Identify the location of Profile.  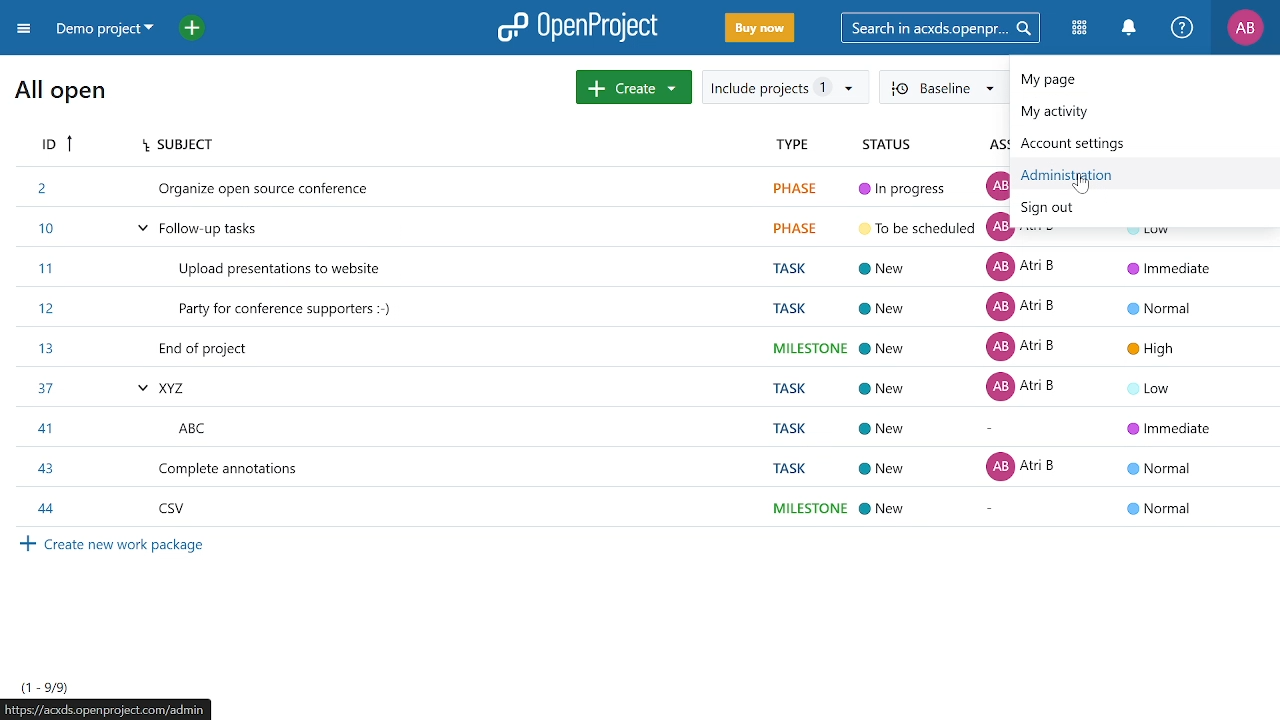
(1245, 29).